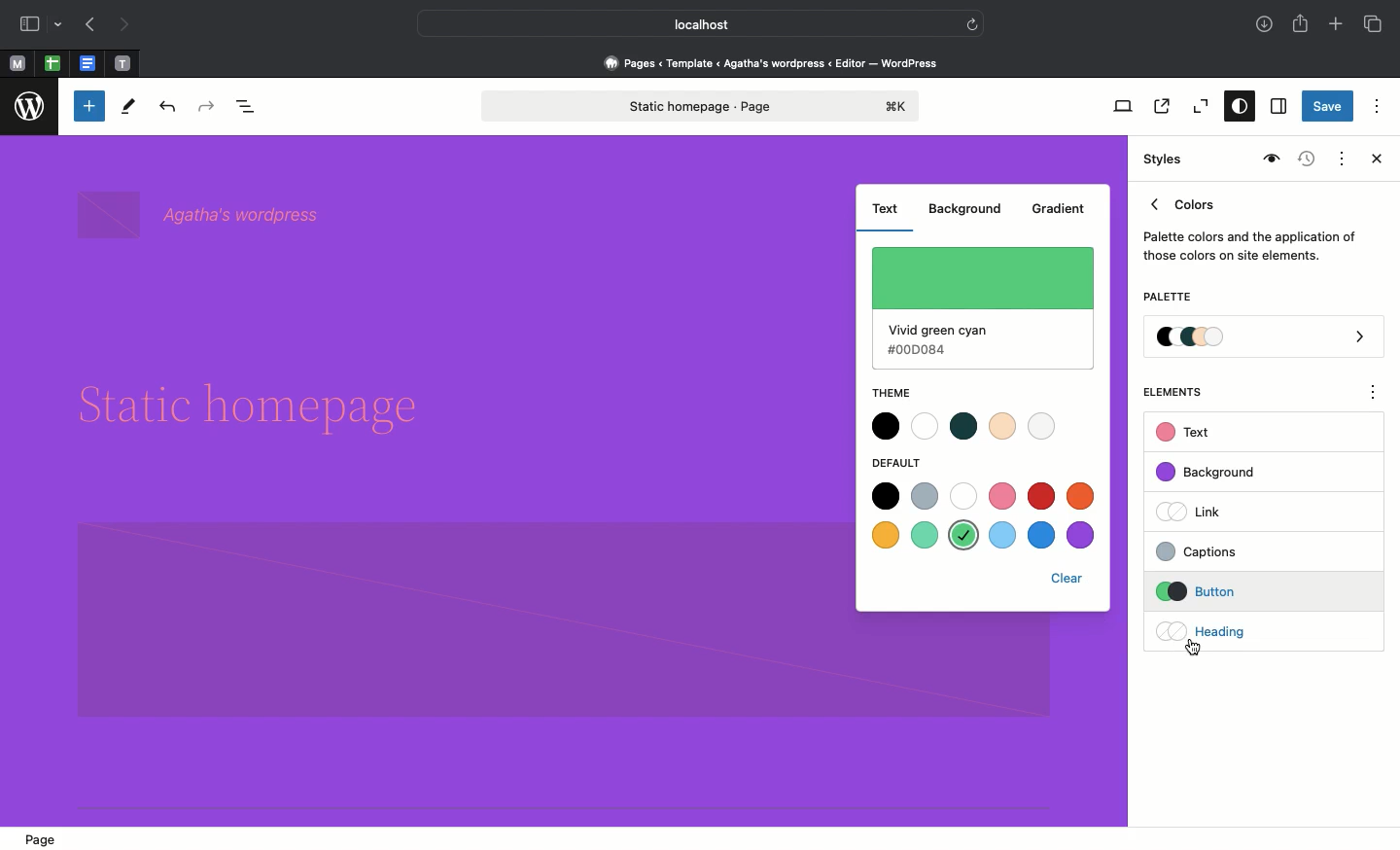 The width and height of the screenshot is (1400, 850). I want to click on Pinned tab, so click(17, 64).